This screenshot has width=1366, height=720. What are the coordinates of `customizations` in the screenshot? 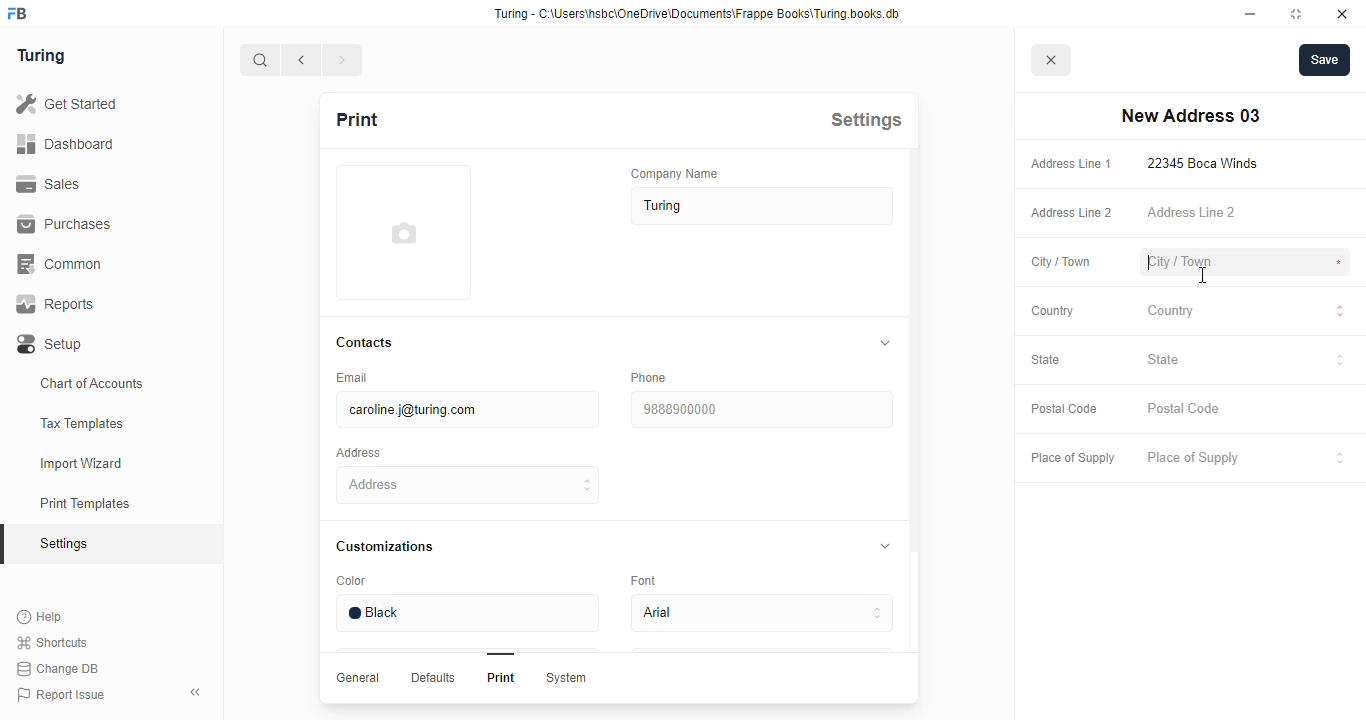 It's located at (384, 546).